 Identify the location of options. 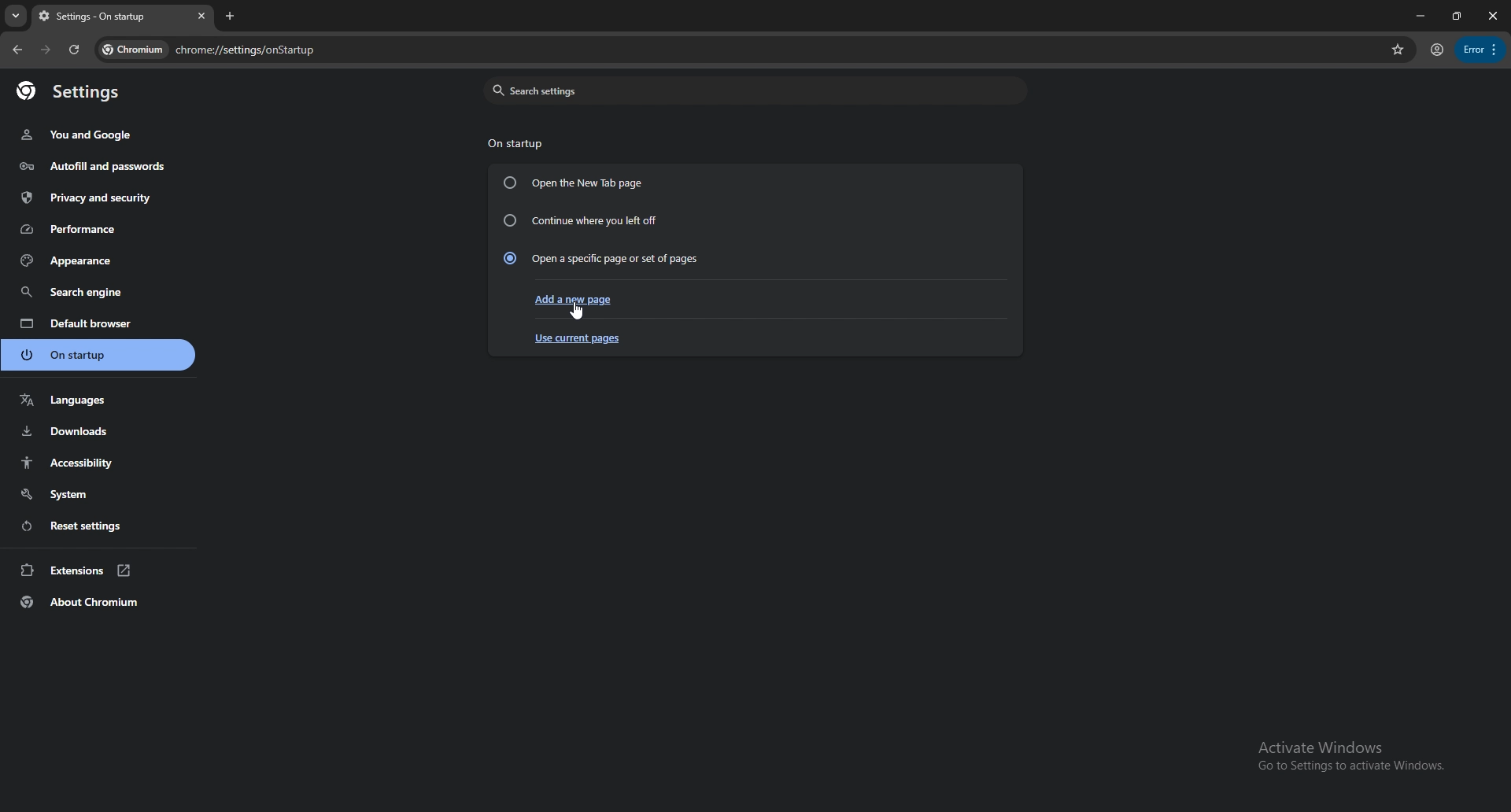
(1480, 50).